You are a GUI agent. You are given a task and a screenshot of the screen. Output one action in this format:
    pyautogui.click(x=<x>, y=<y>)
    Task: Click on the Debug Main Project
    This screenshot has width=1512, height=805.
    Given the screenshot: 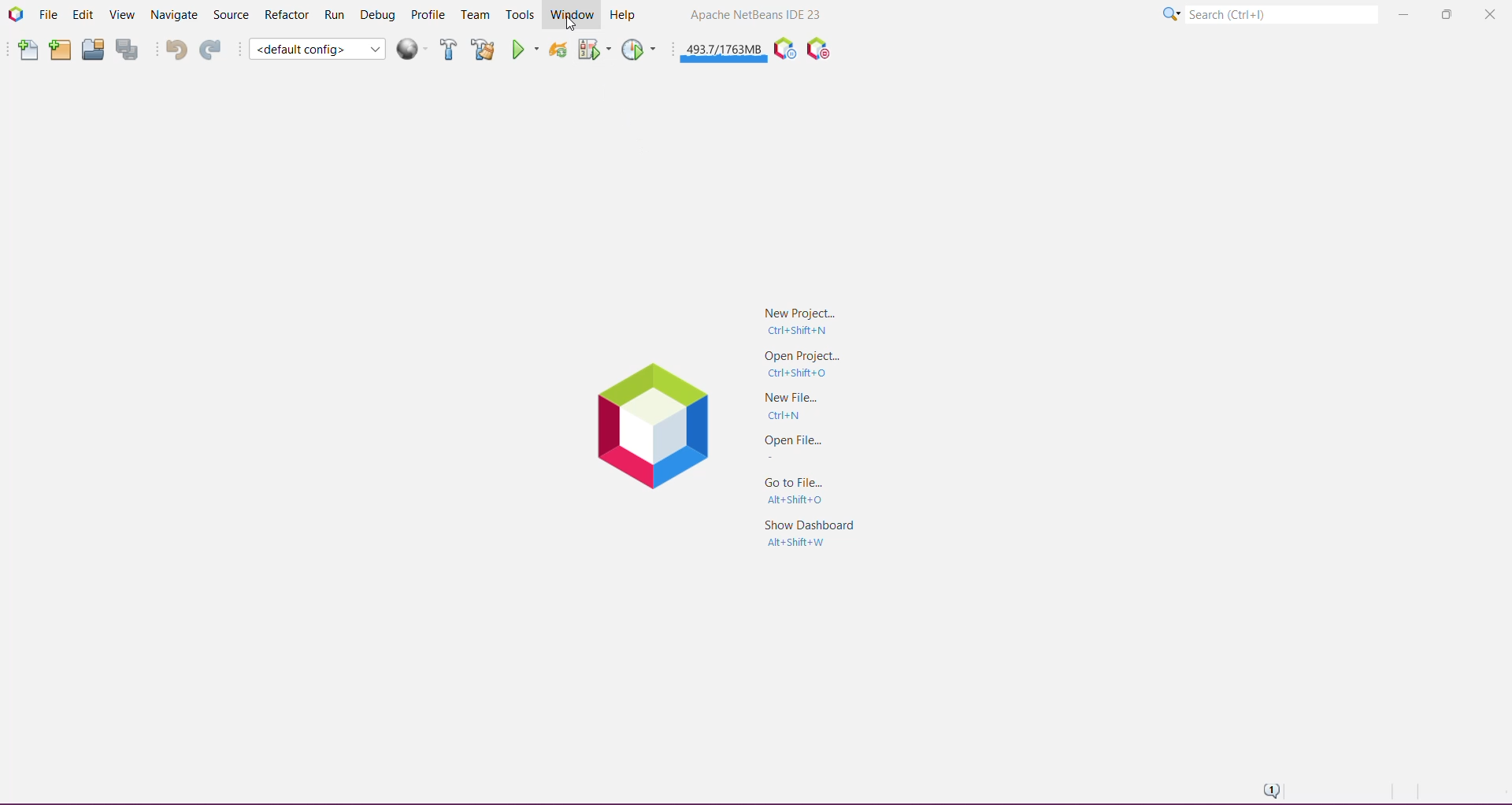 What is the action you would take?
    pyautogui.click(x=593, y=49)
    